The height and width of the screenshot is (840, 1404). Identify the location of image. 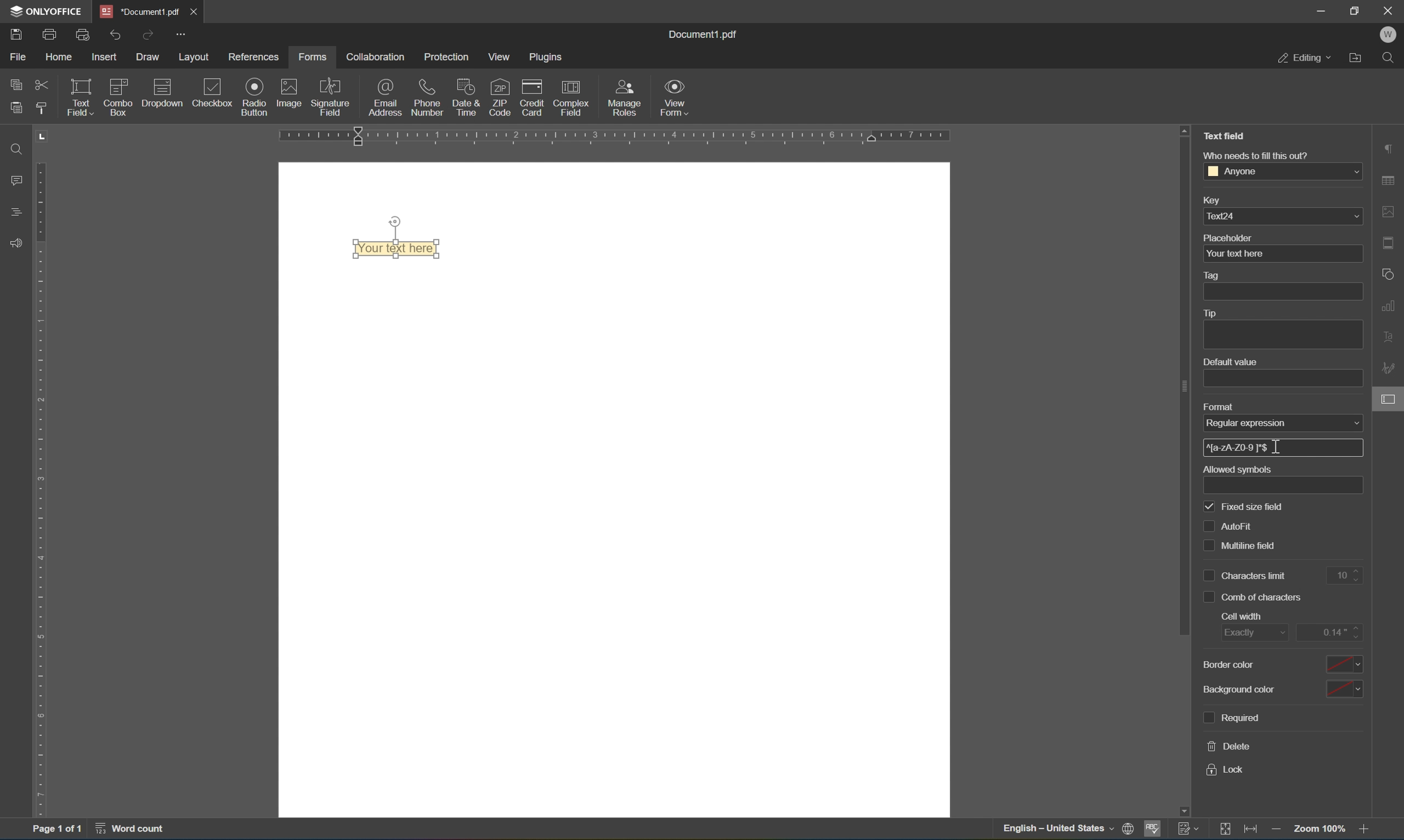
(290, 92).